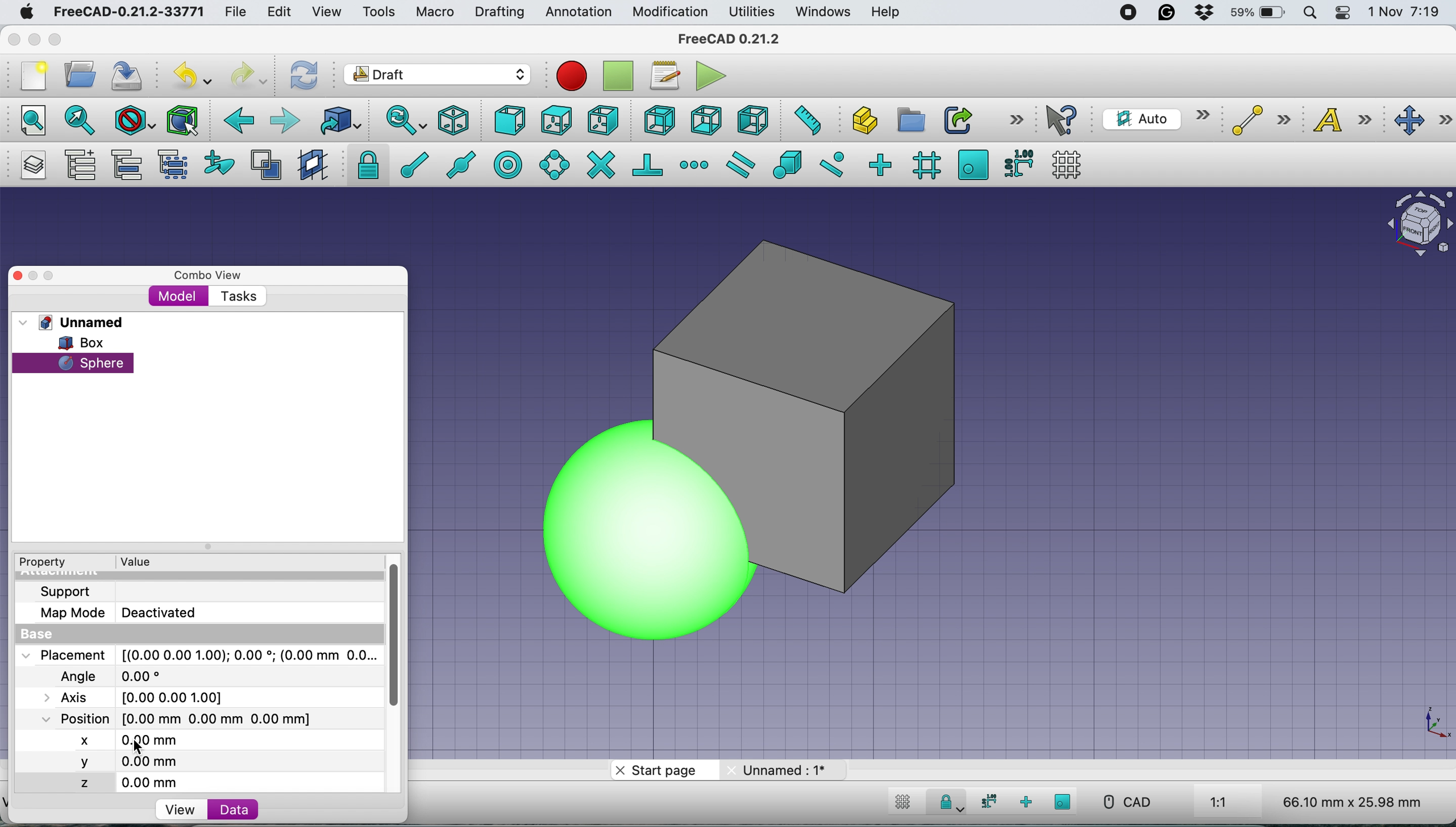  What do you see at coordinates (125, 612) in the screenshot?
I see `map mode` at bounding box center [125, 612].